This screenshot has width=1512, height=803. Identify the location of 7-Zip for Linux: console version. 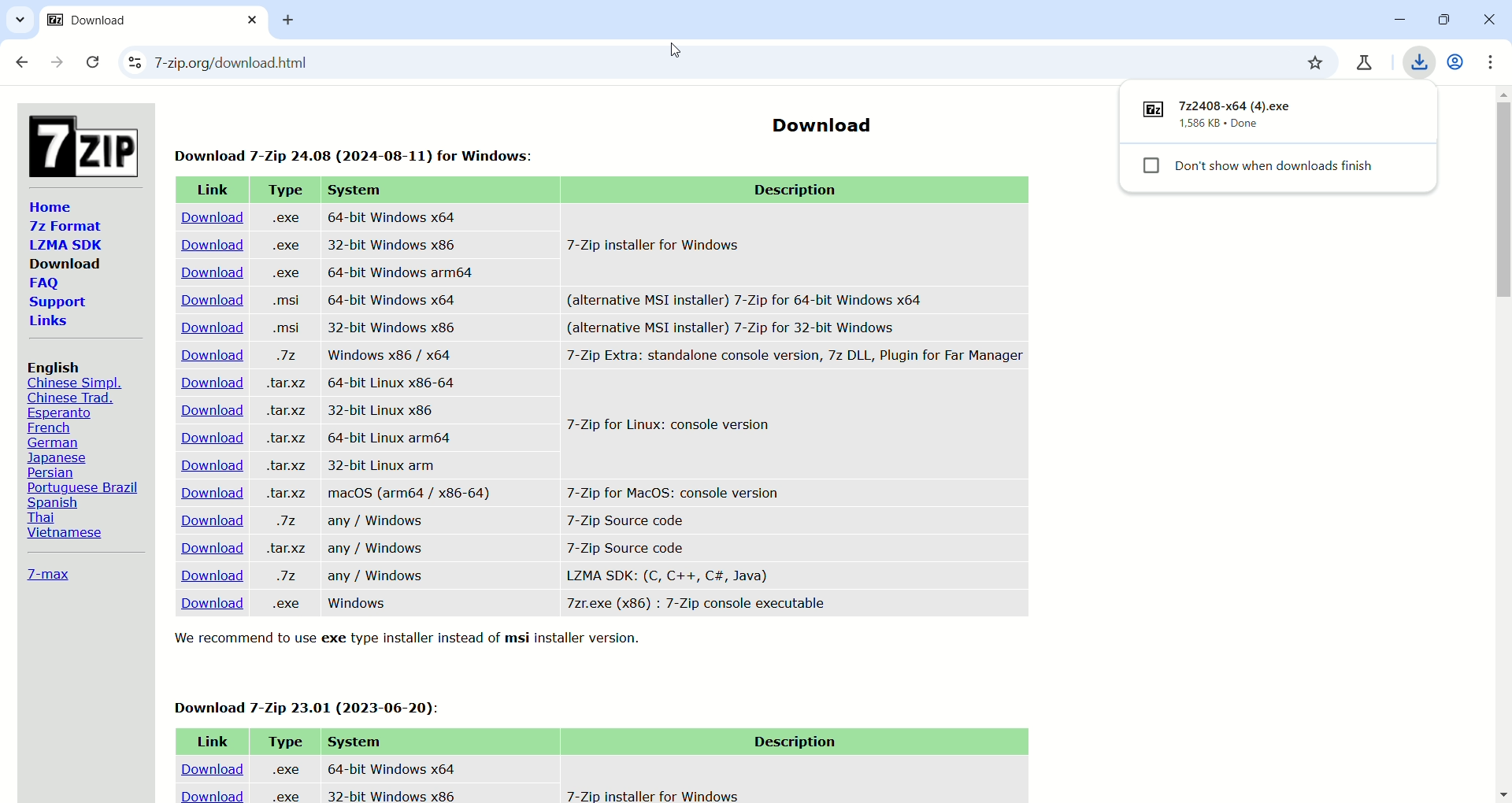
(672, 427).